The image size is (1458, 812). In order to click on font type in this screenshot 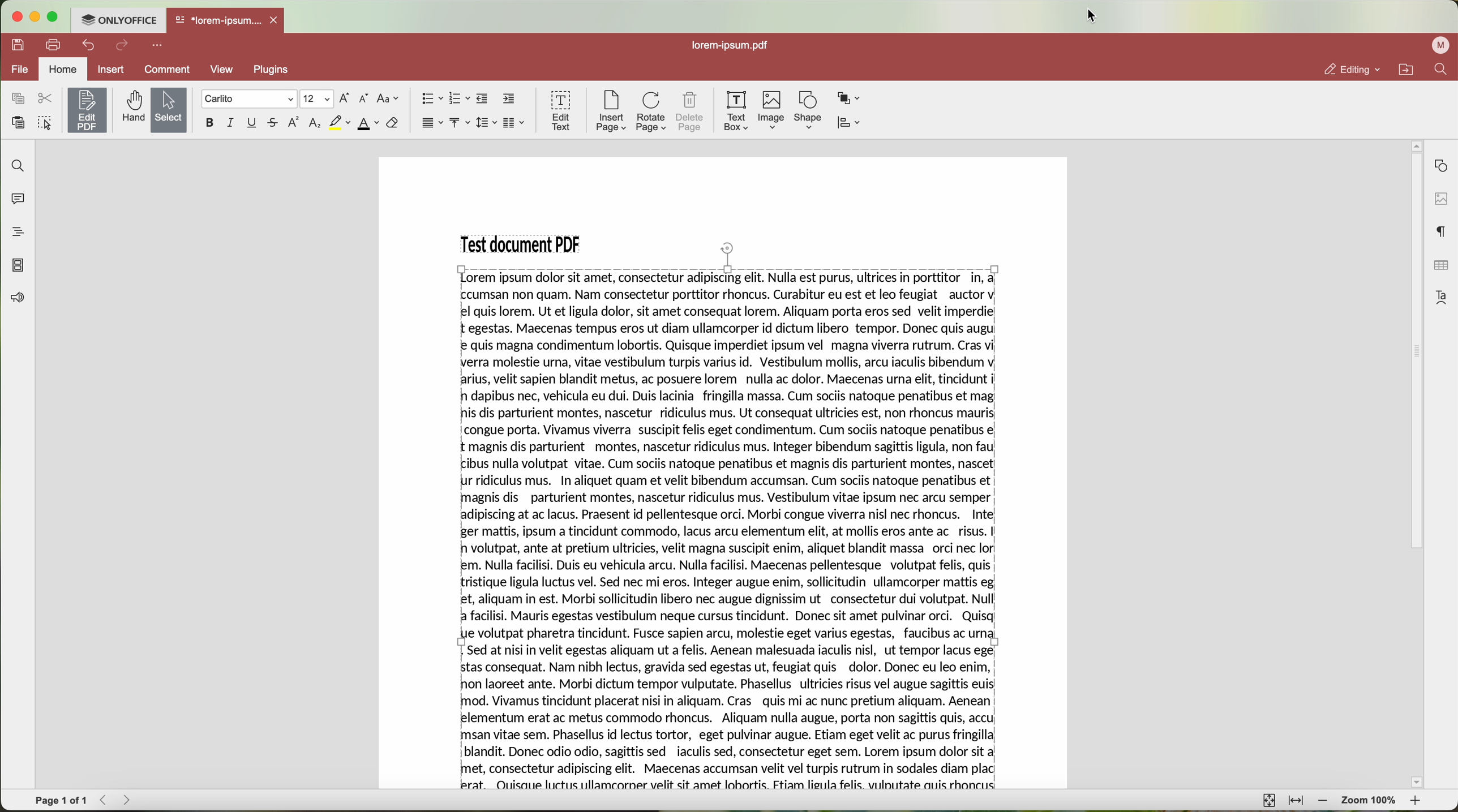, I will do `click(248, 99)`.